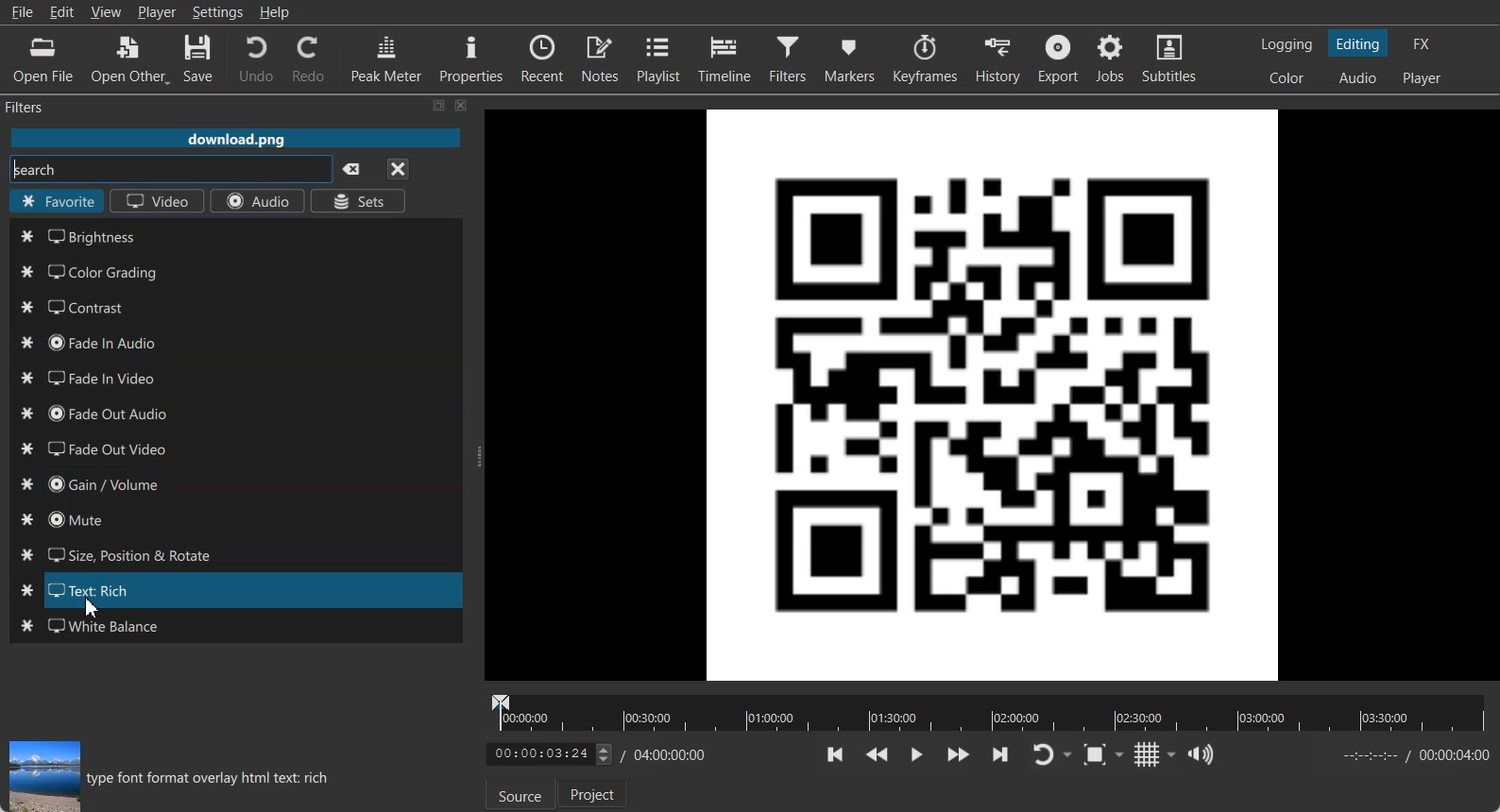  Describe the element at coordinates (235, 590) in the screenshot. I see `Text: Rich` at that location.